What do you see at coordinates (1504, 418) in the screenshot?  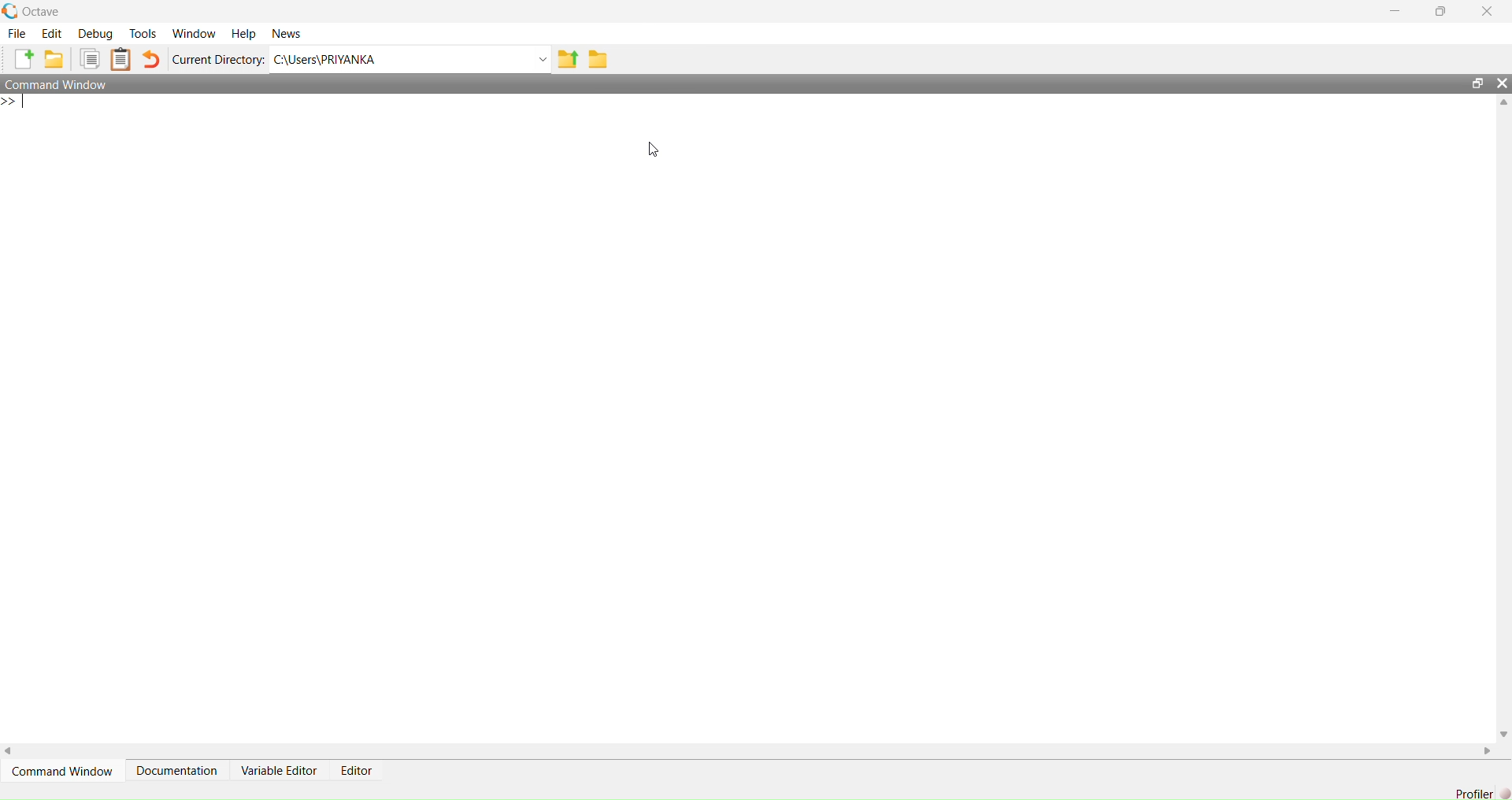 I see `vertical scroll bar` at bounding box center [1504, 418].